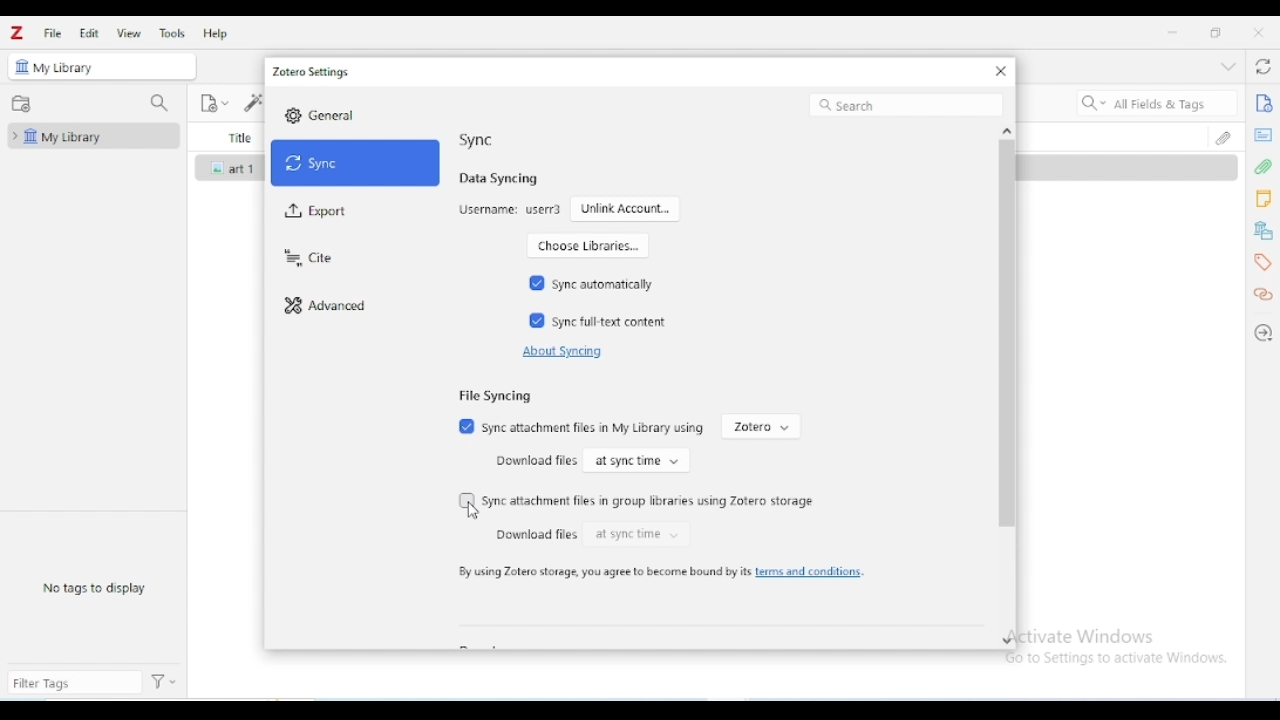 The width and height of the screenshot is (1280, 720). What do you see at coordinates (1259, 32) in the screenshot?
I see `close` at bounding box center [1259, 32].